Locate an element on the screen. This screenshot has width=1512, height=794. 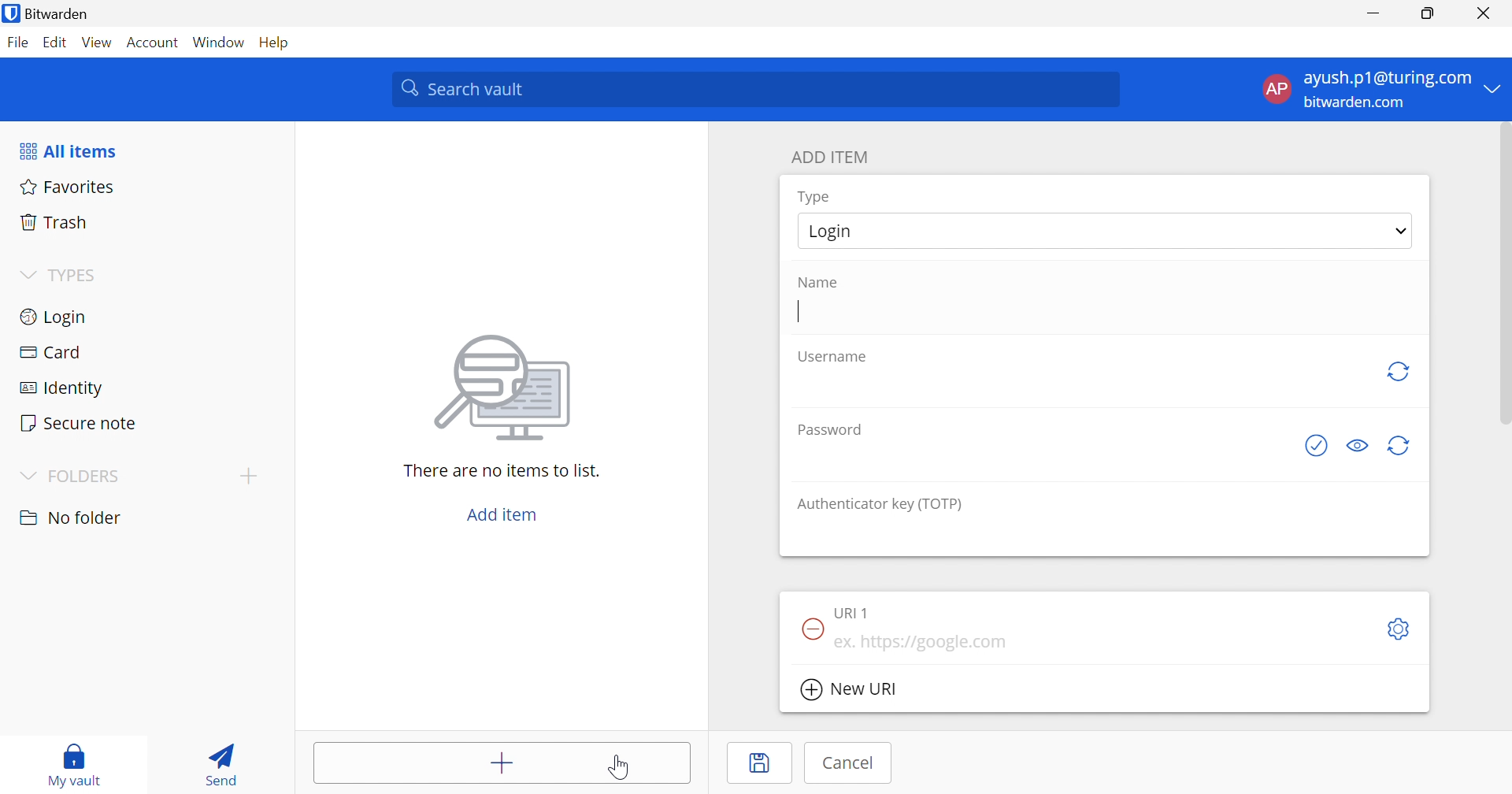
ex. https://google.com is located at coordinates (922, 643).